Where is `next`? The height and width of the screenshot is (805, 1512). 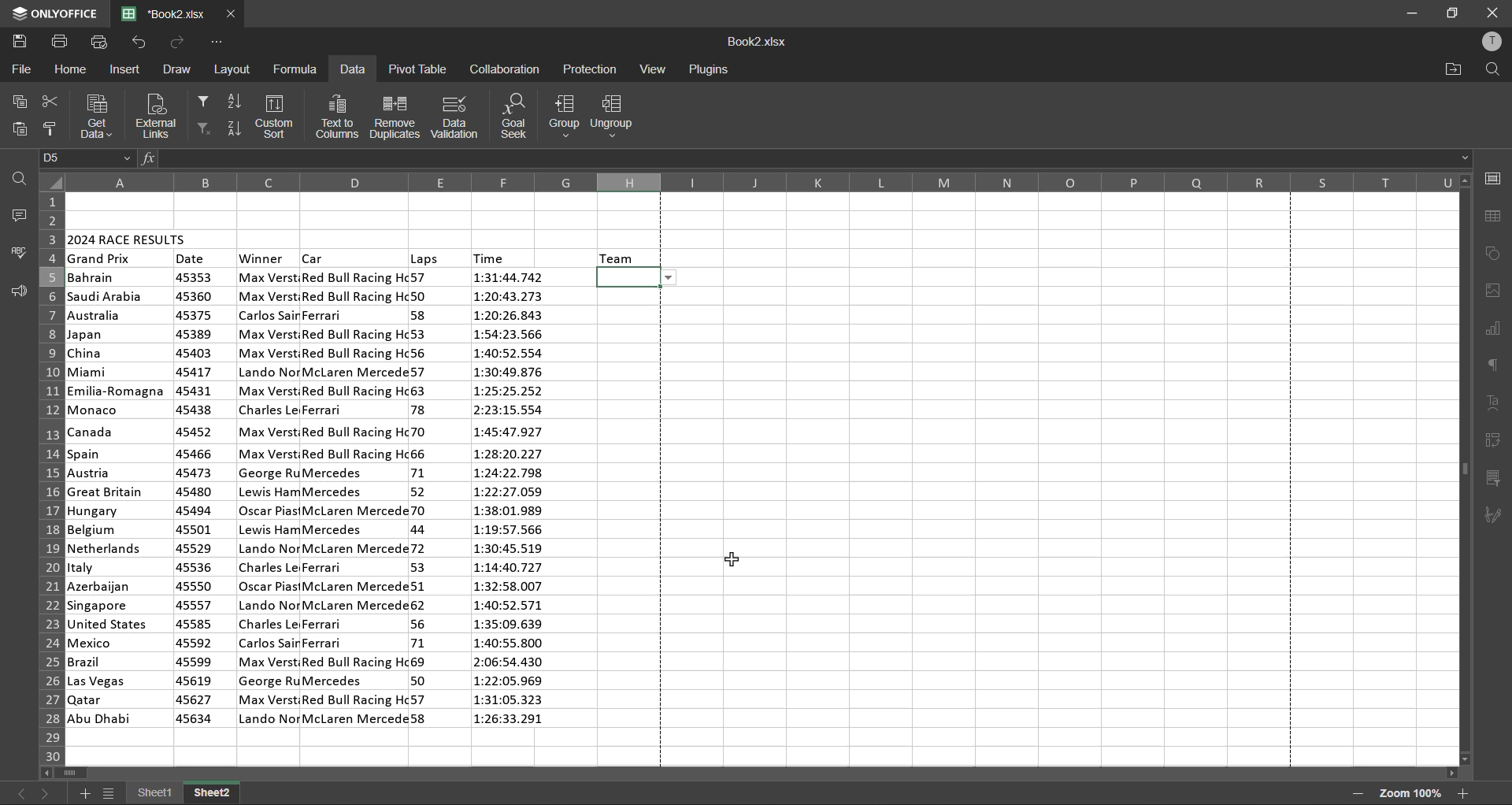
next is located at coordinates (46, 791).